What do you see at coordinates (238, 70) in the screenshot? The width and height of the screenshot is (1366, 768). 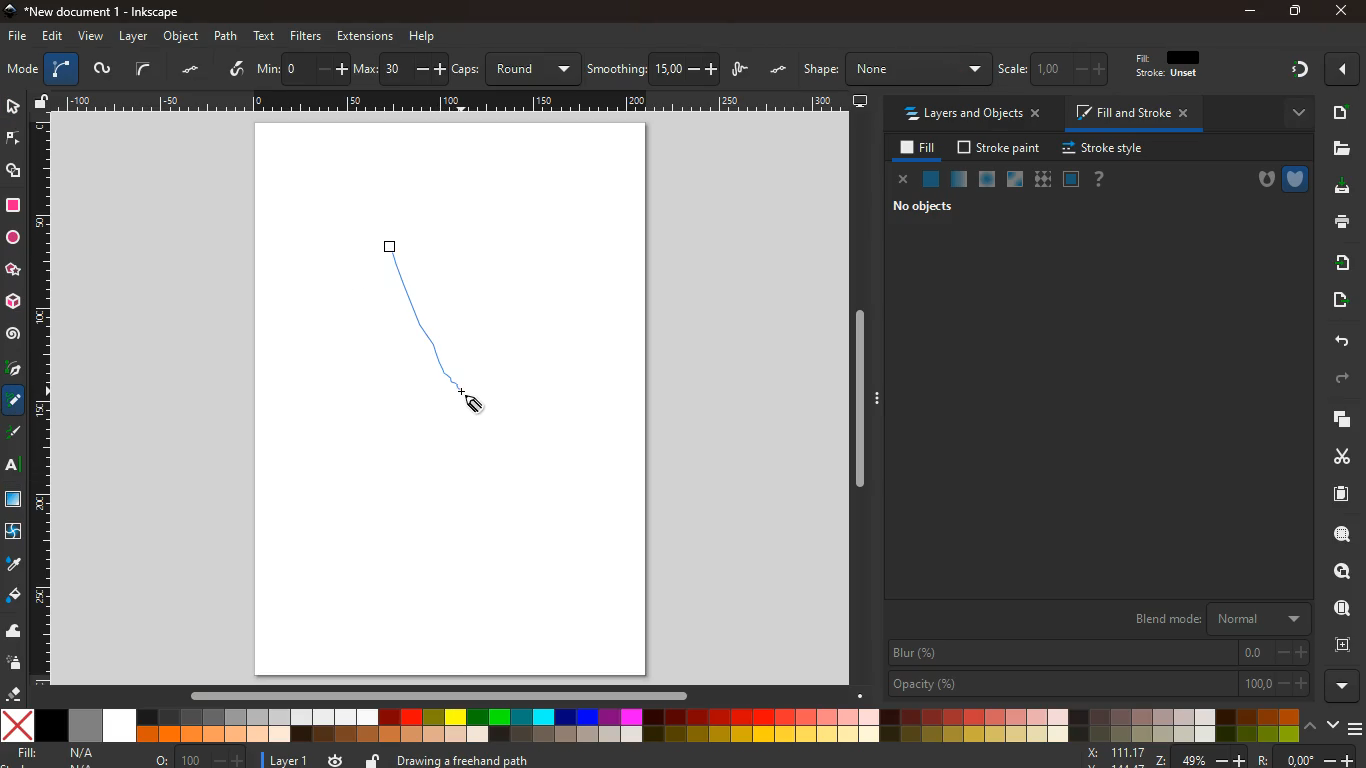 I see `draw` at bounding box center [238, 70].